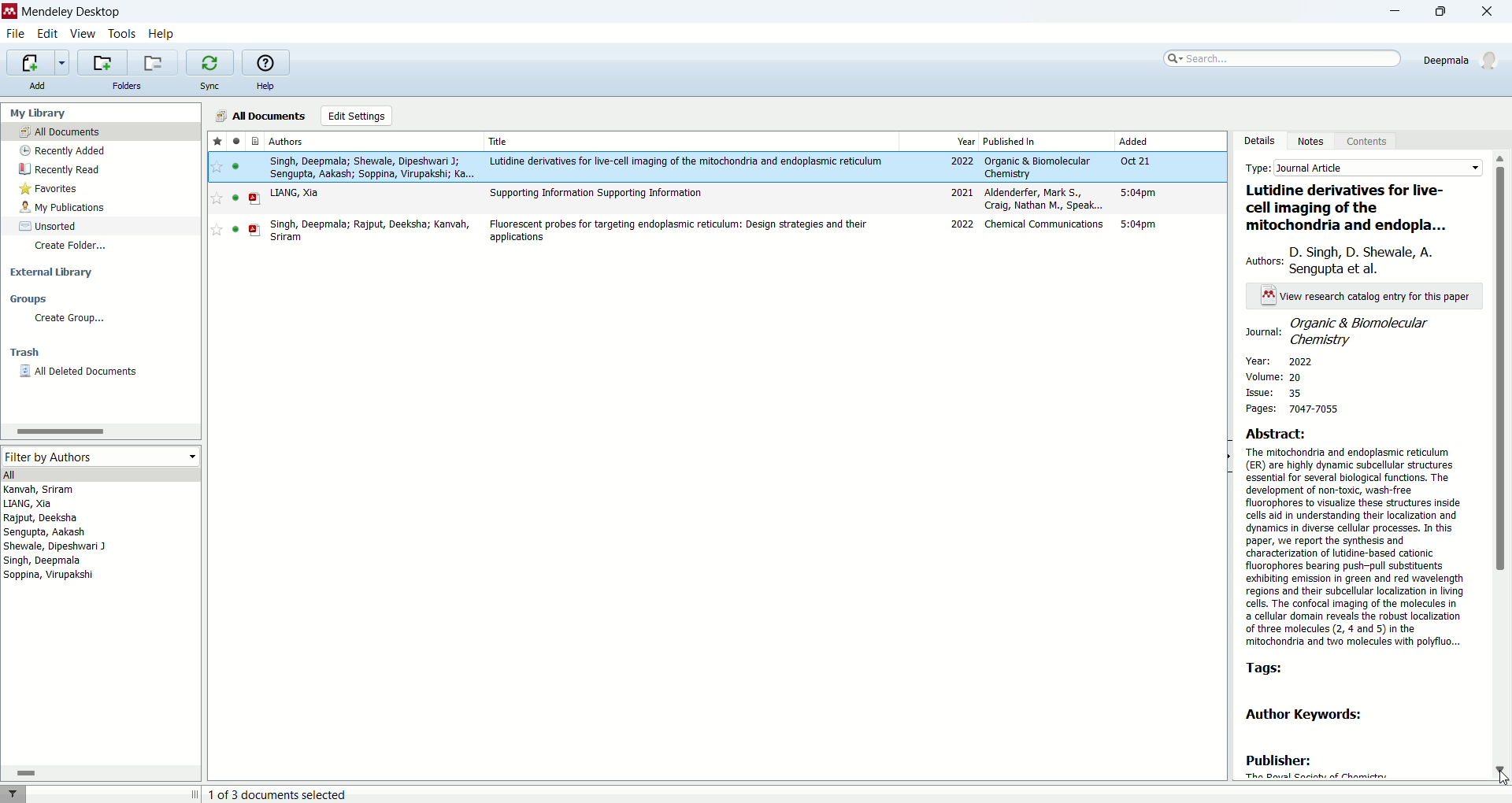  What do you see at coordinates (1492, 13) in the screenshot?
I see `close` at bounding box center [1492, 13].